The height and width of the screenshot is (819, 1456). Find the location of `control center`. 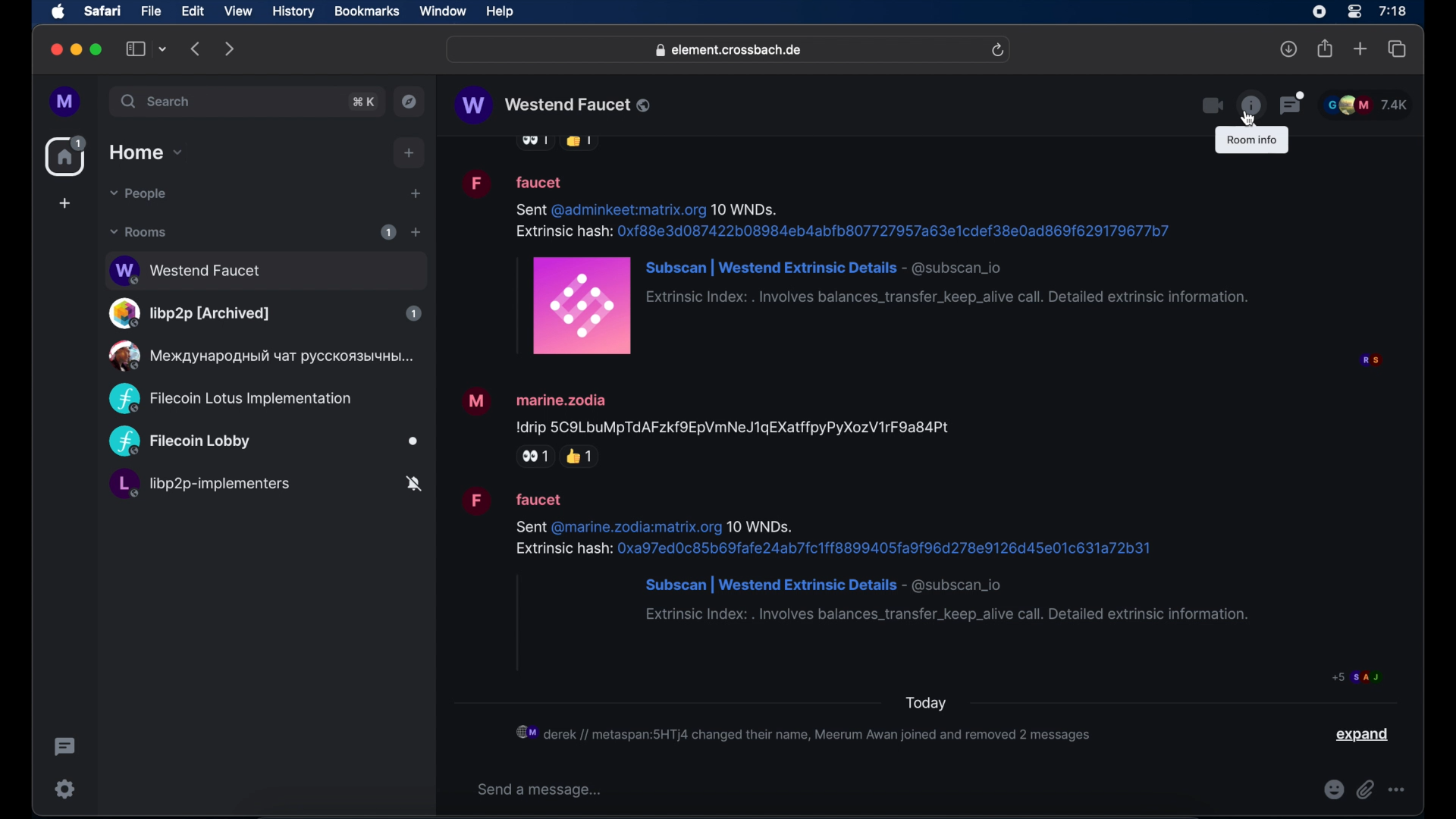

control center is located at coordinates (1353, 12).